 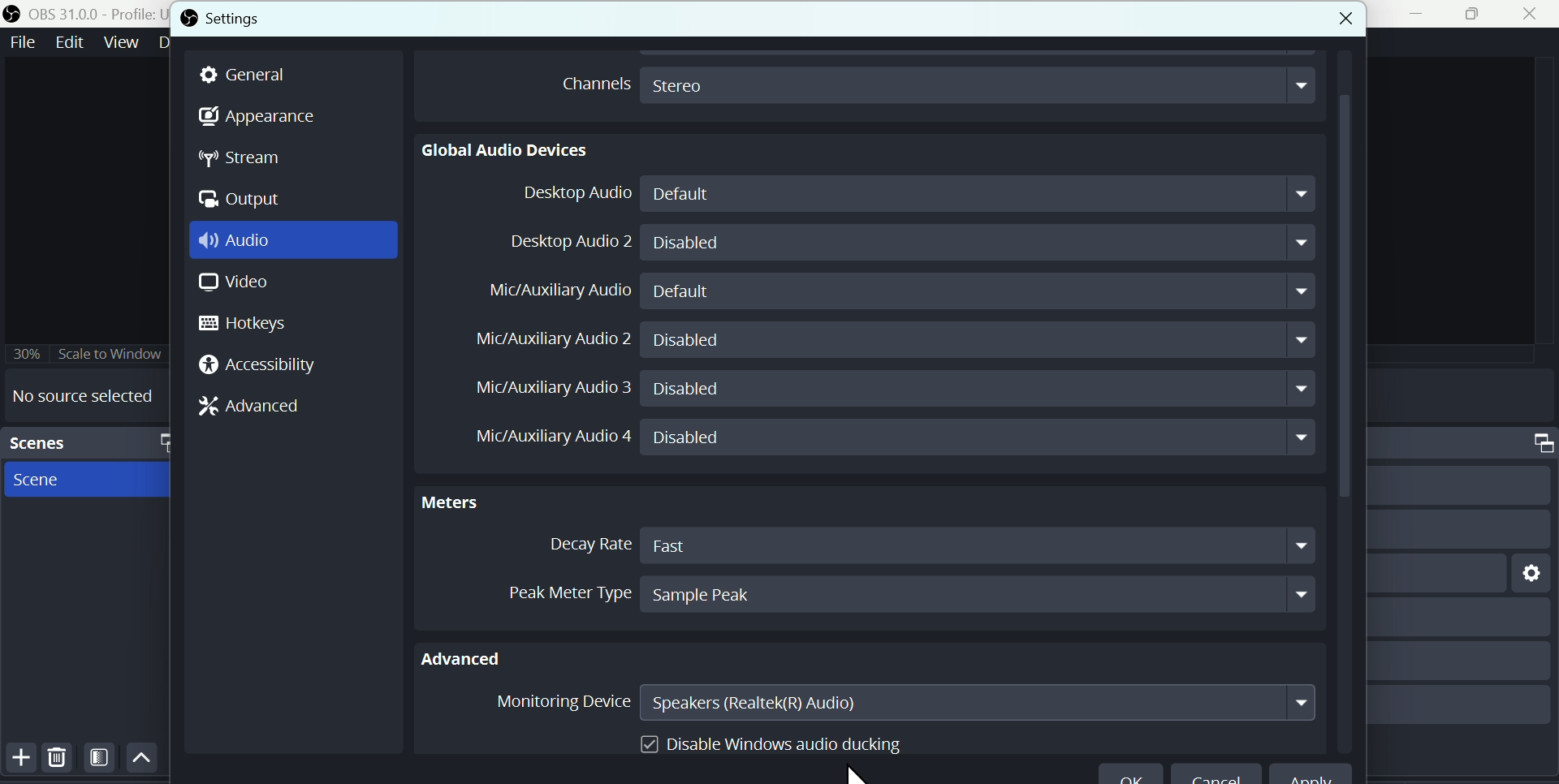 I want to click on maximize, so click(x=1535, y=443).